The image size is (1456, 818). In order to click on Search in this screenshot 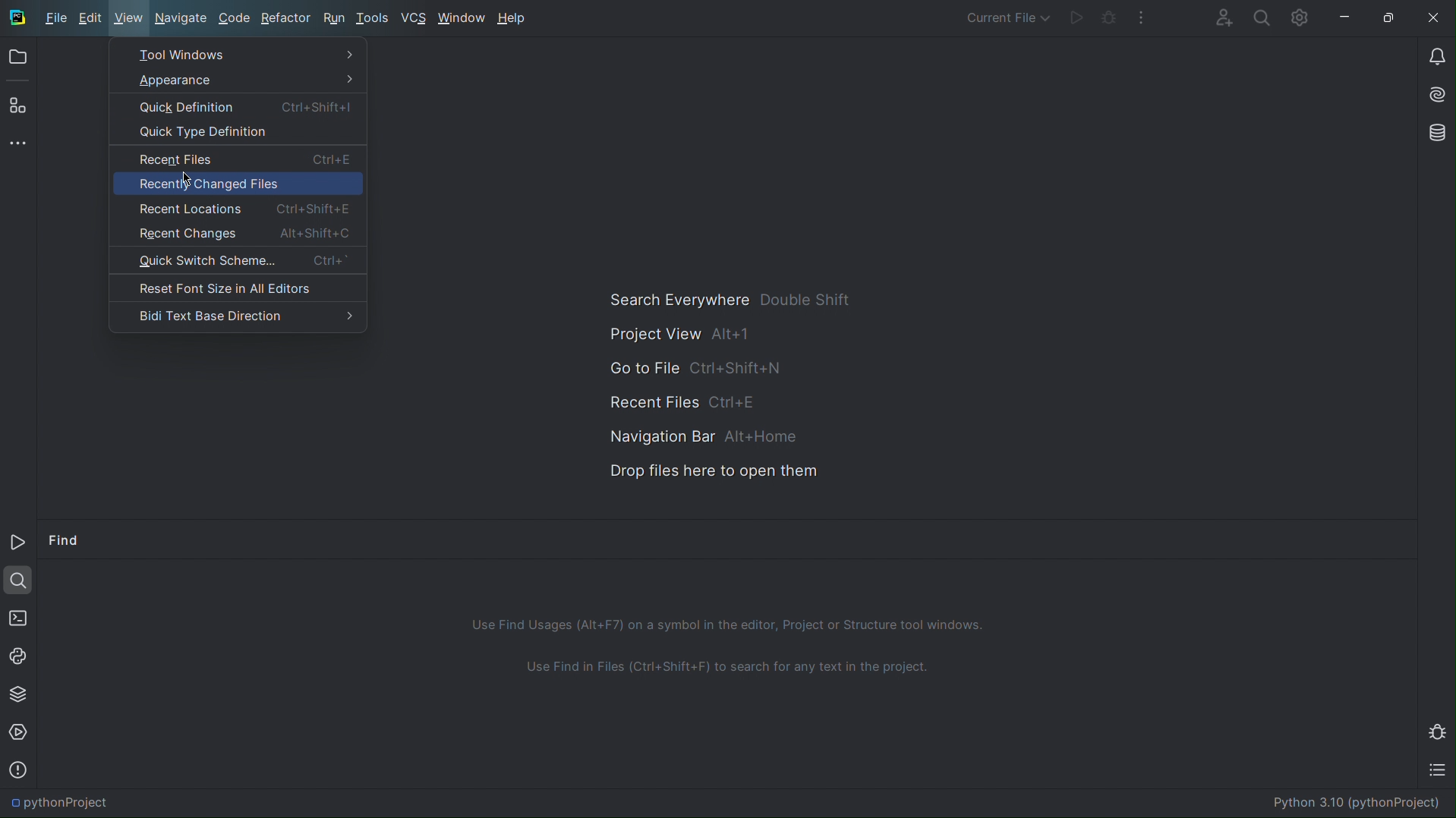, I will do `click(1260, 17)`.